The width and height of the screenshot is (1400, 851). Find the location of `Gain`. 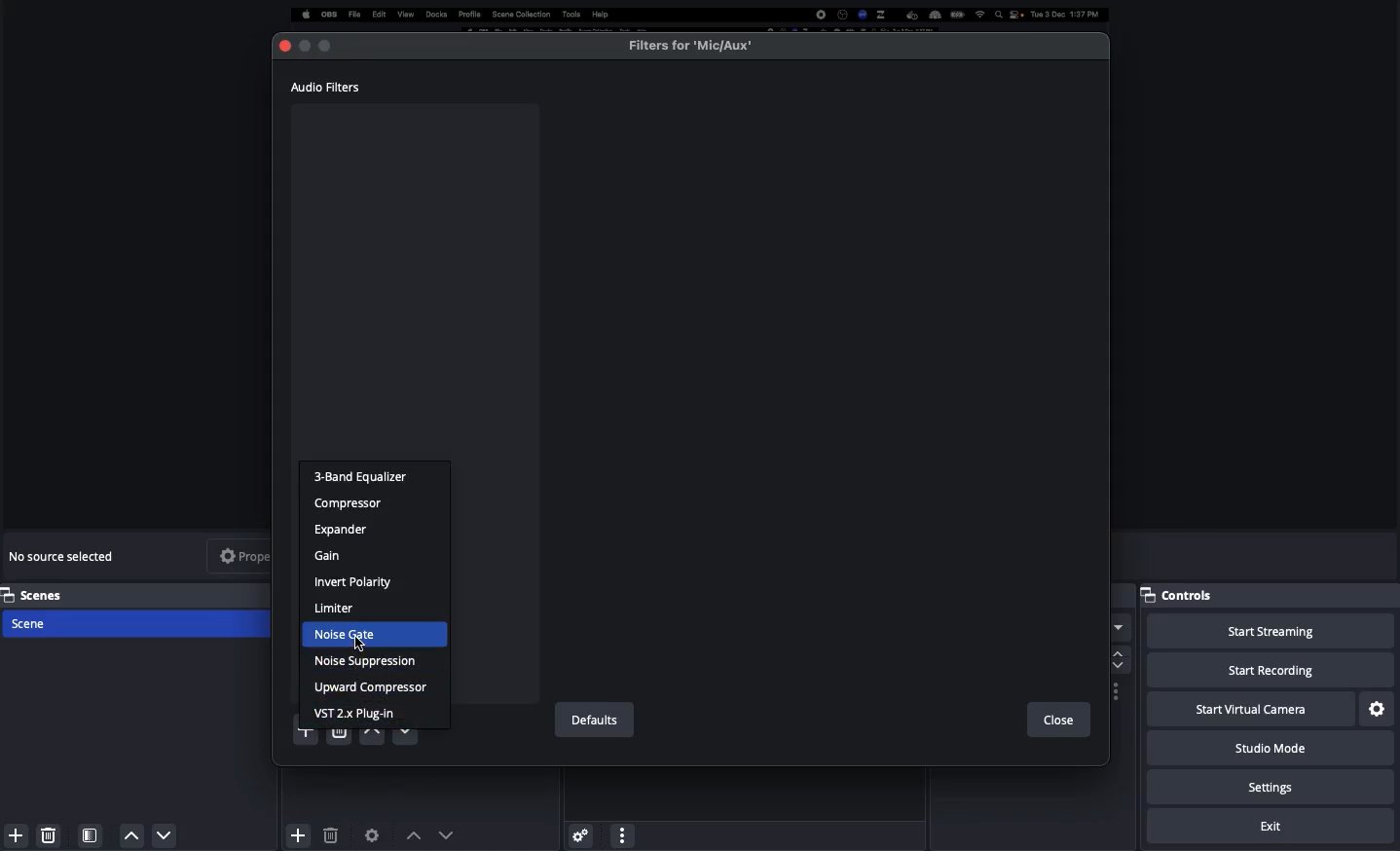

Gain is located at coordinates (337, 555).